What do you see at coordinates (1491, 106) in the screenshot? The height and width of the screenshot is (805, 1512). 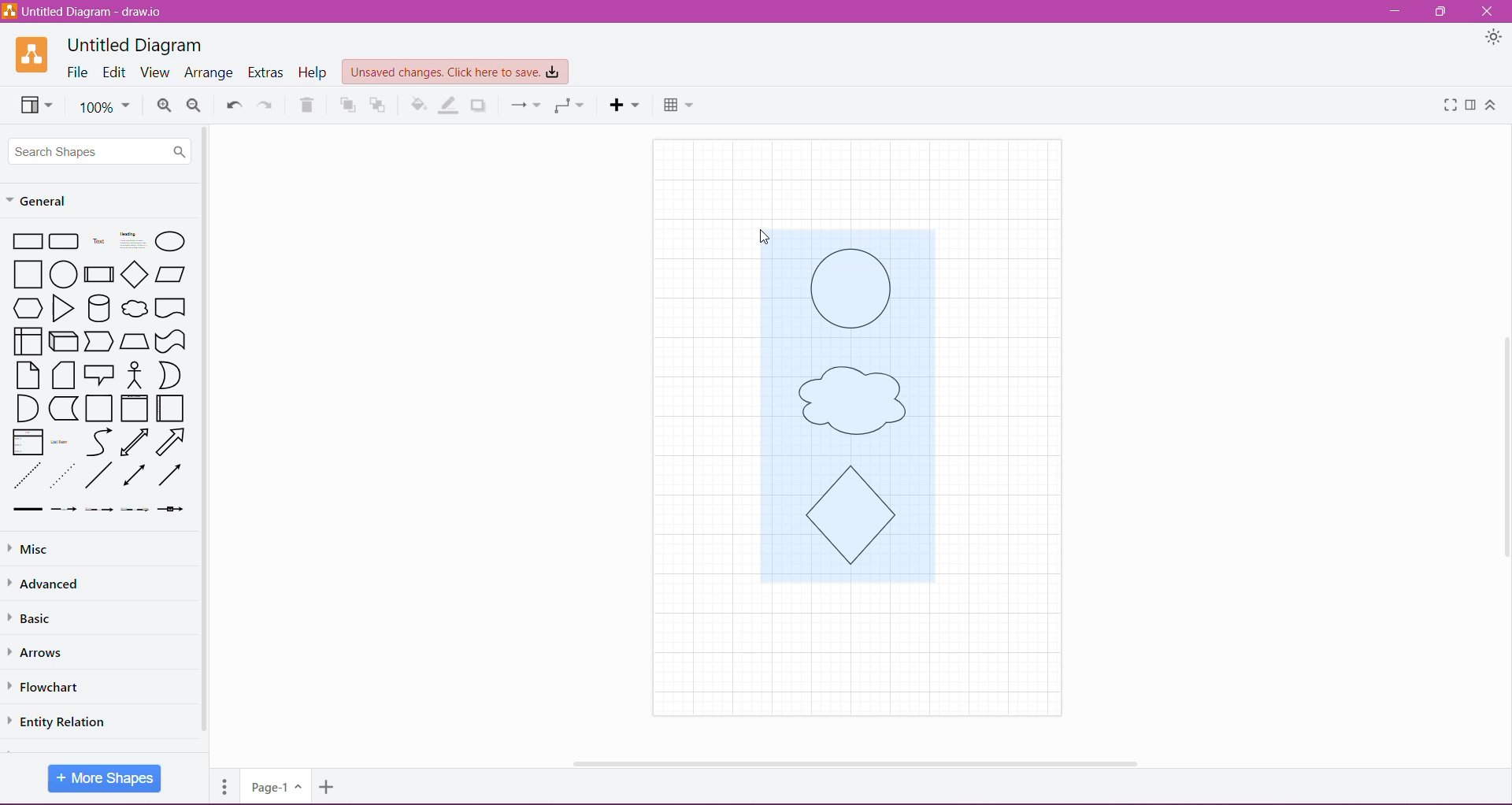 I see `Expand/Collapse` at bounding box center [1491, 106].